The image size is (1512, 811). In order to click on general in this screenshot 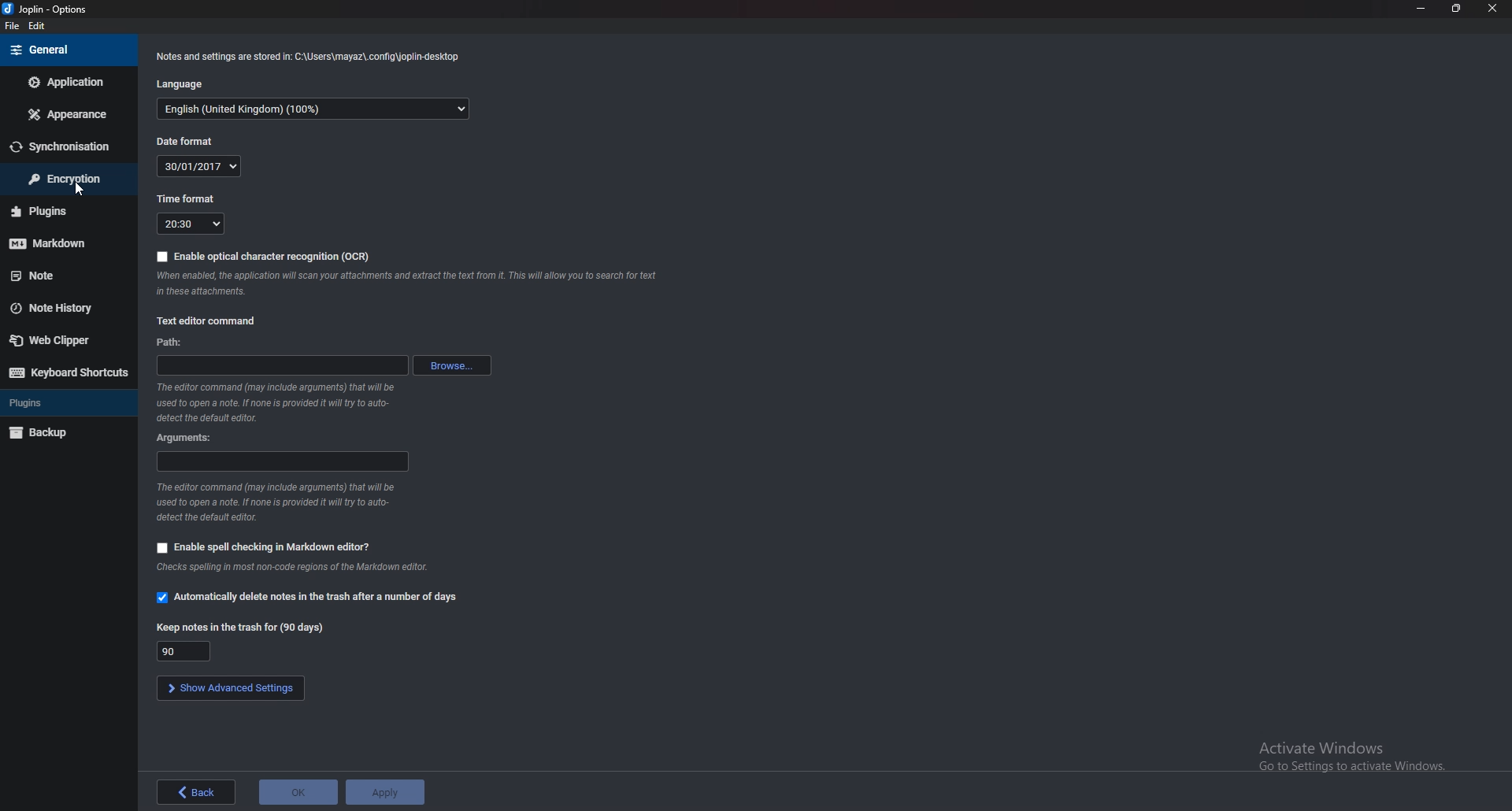, I will do `click(66, 50)`.